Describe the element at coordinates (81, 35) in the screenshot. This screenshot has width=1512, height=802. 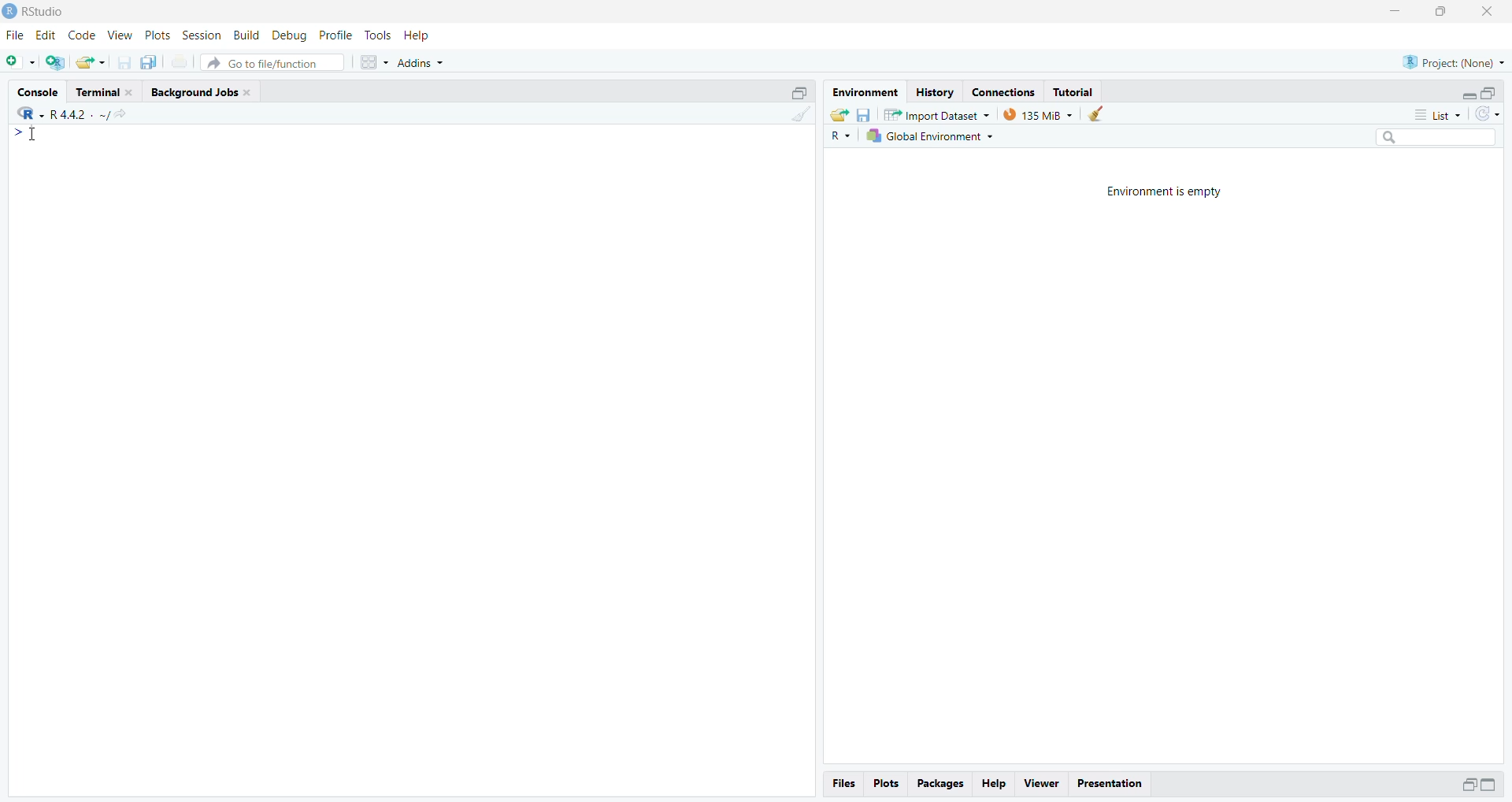
I see `Code` at that location.